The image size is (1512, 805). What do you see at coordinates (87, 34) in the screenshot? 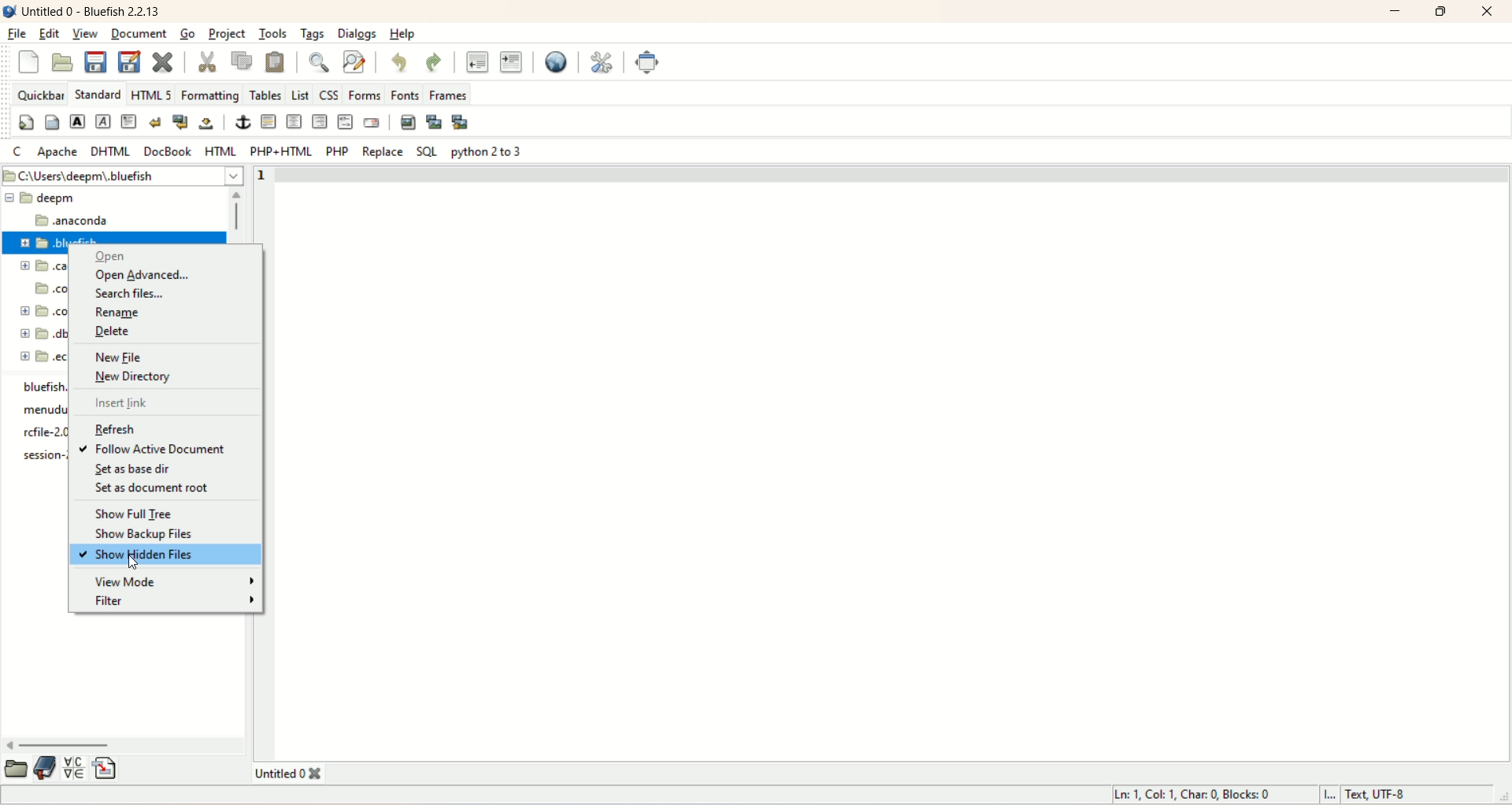
I see `view` at bounding box center [87, 34].